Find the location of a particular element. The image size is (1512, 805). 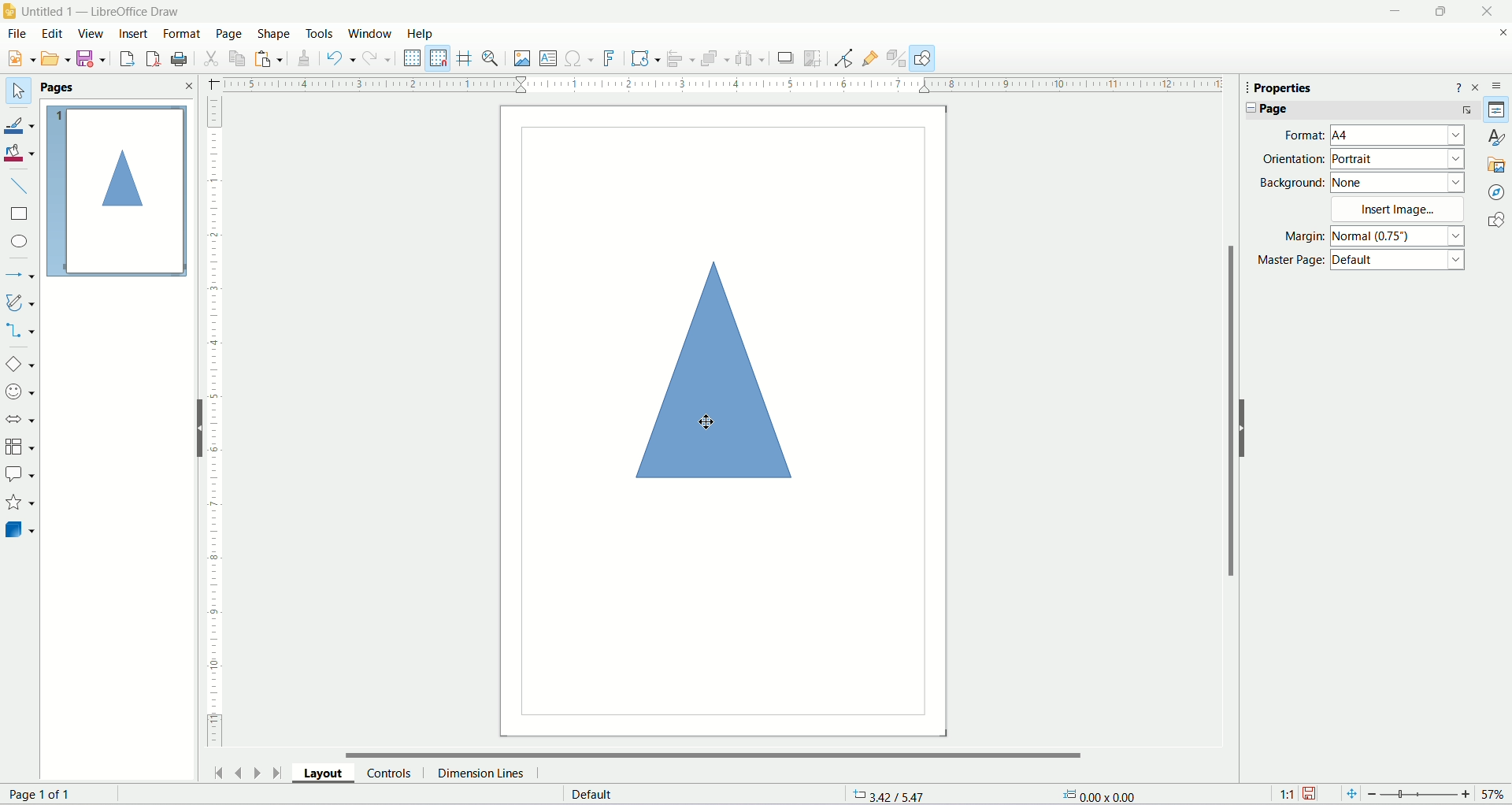

Insert image is located at coordinates (521, 57).